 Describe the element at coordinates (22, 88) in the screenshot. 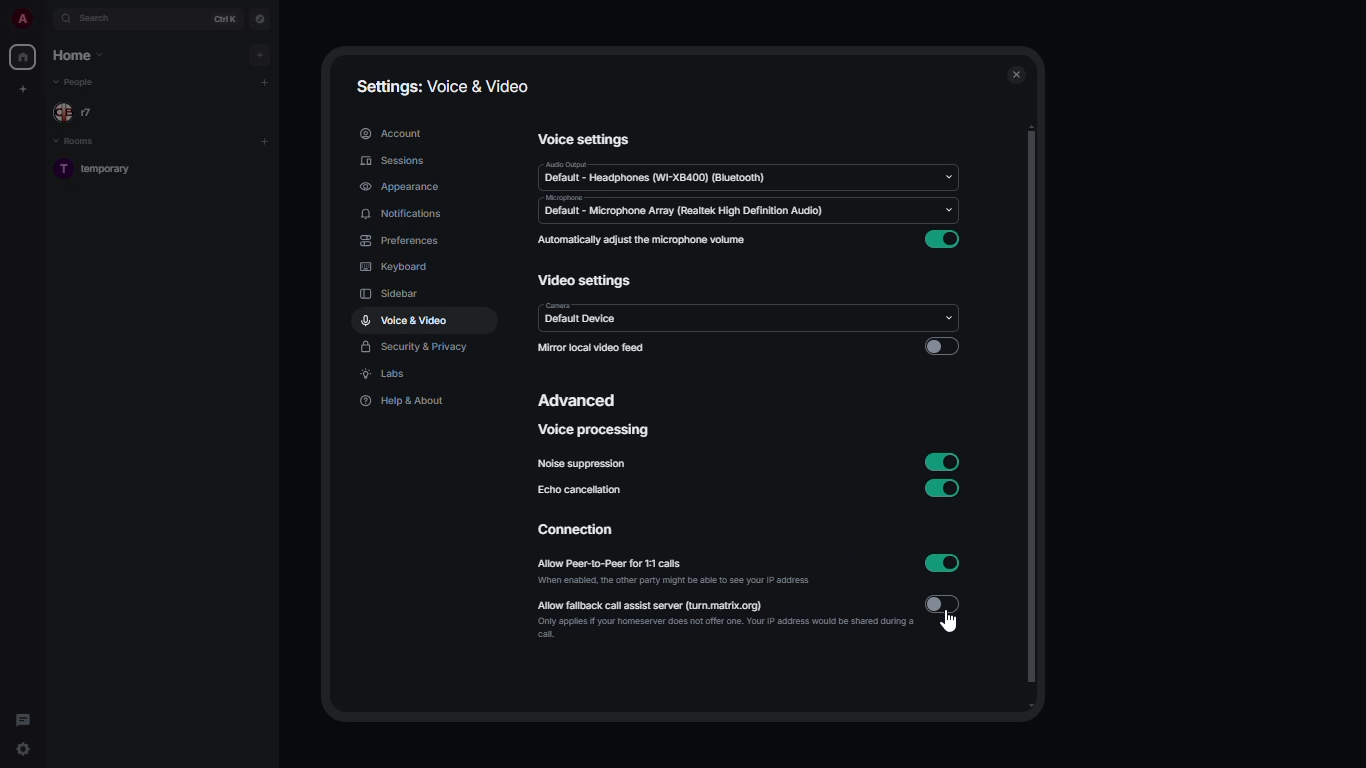

I see `create new space` at that location.